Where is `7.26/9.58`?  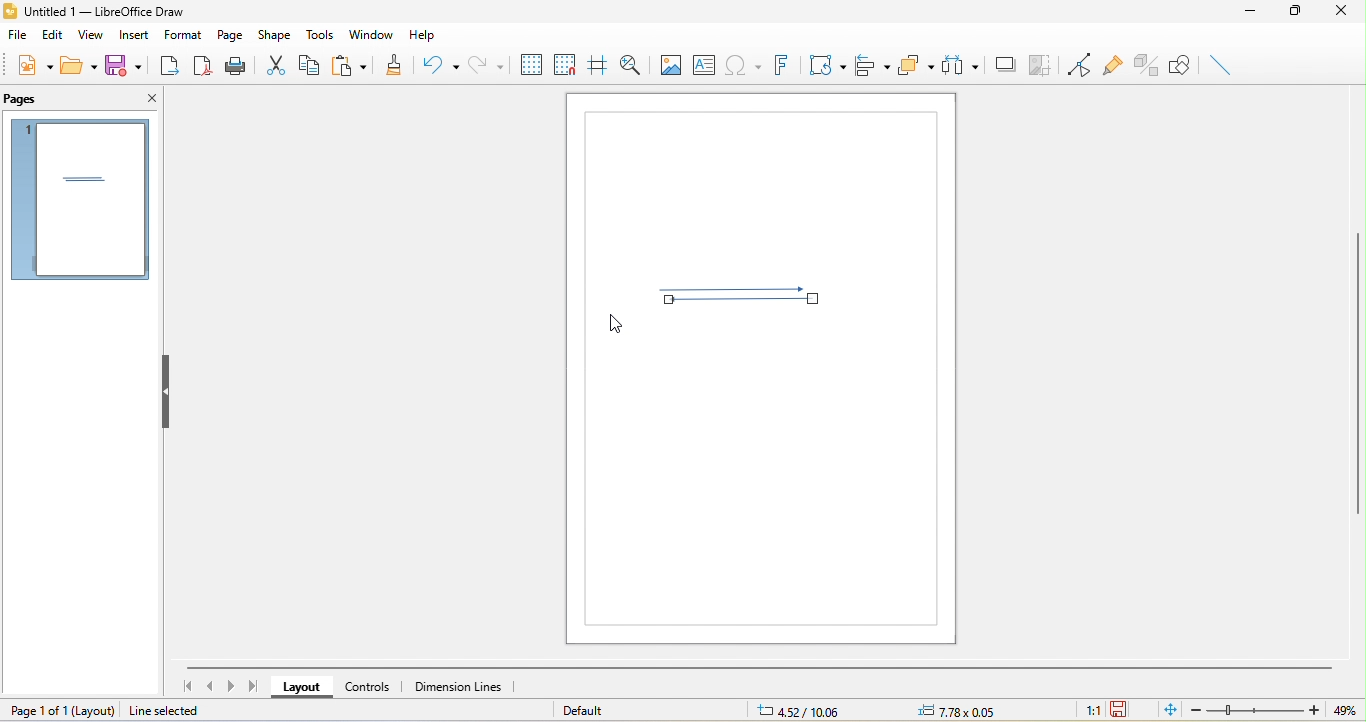
7.26/9.58 is located at coordinates (808, 711).